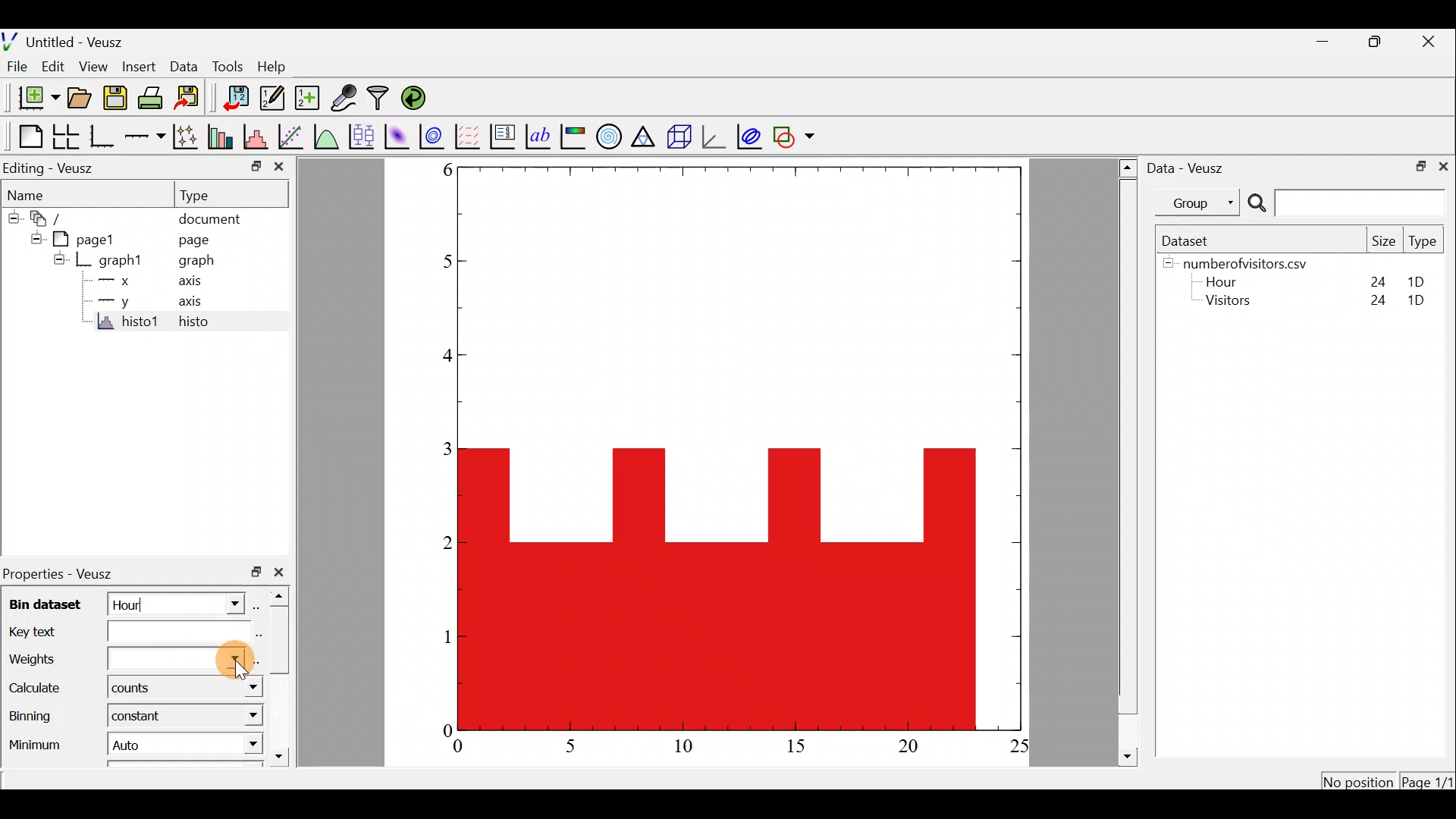 The height and width of the screenshot is (819, 1456). Describe the element at coordinates (135, 715) in the screenshot. I see `constant` at that location.